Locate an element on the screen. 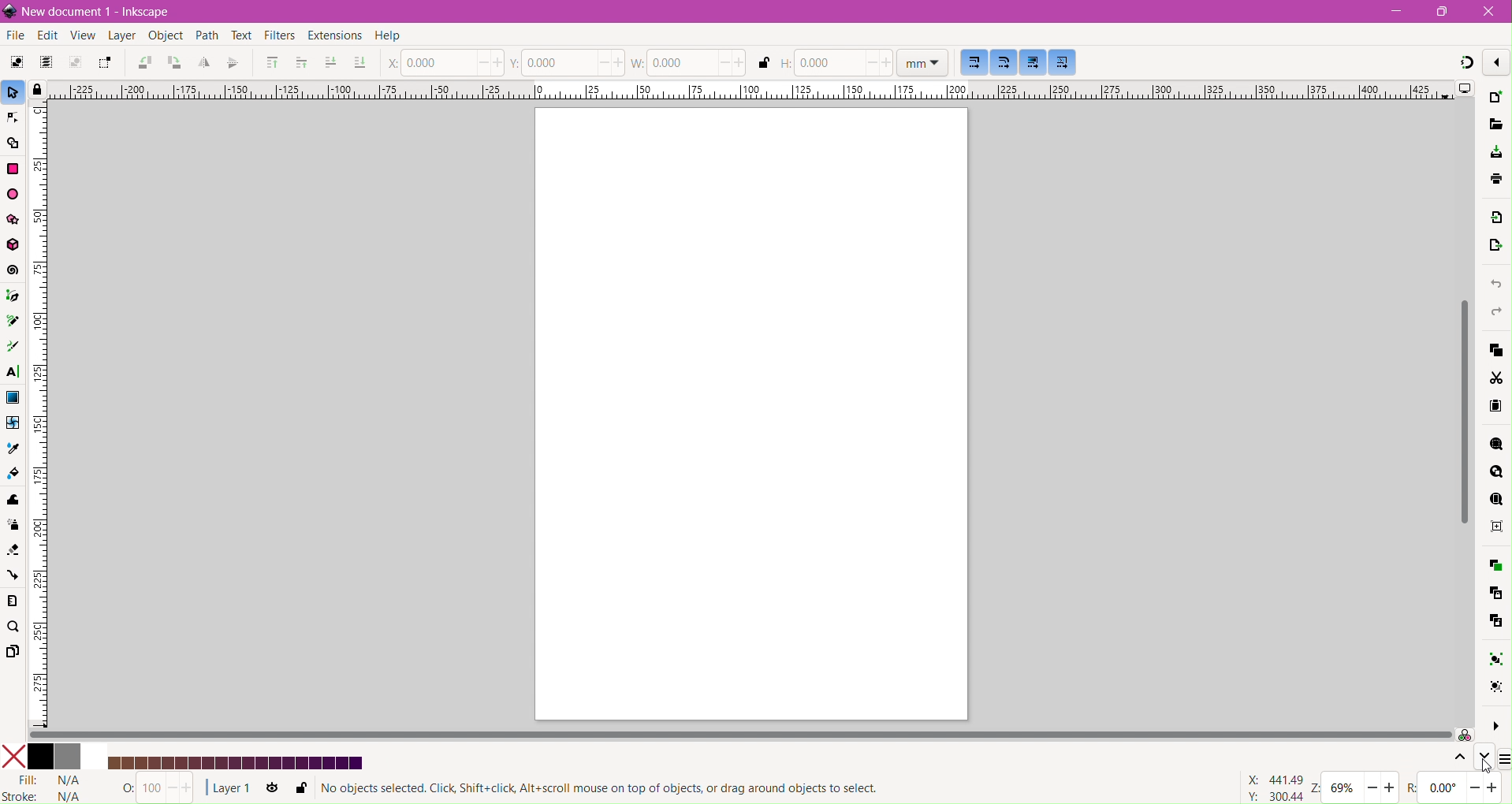  Measure Tool is located at coordinates (13, 602).